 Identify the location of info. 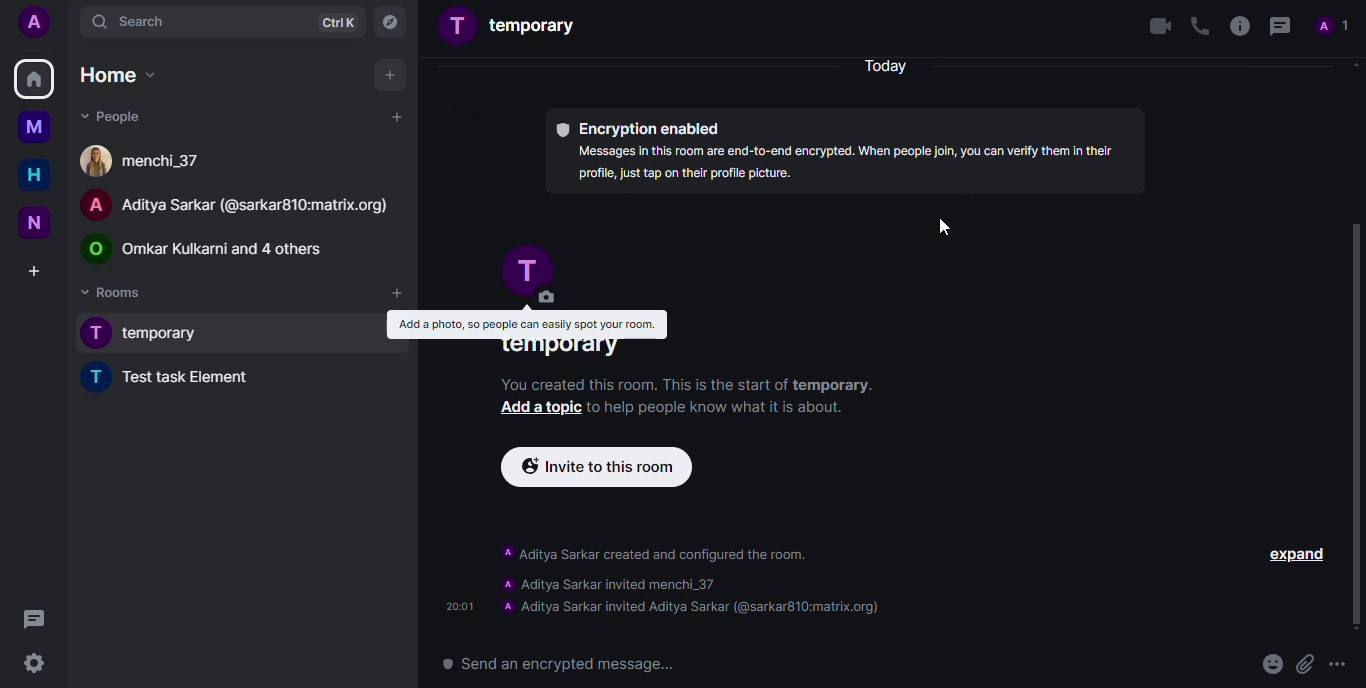
(1236, 27).